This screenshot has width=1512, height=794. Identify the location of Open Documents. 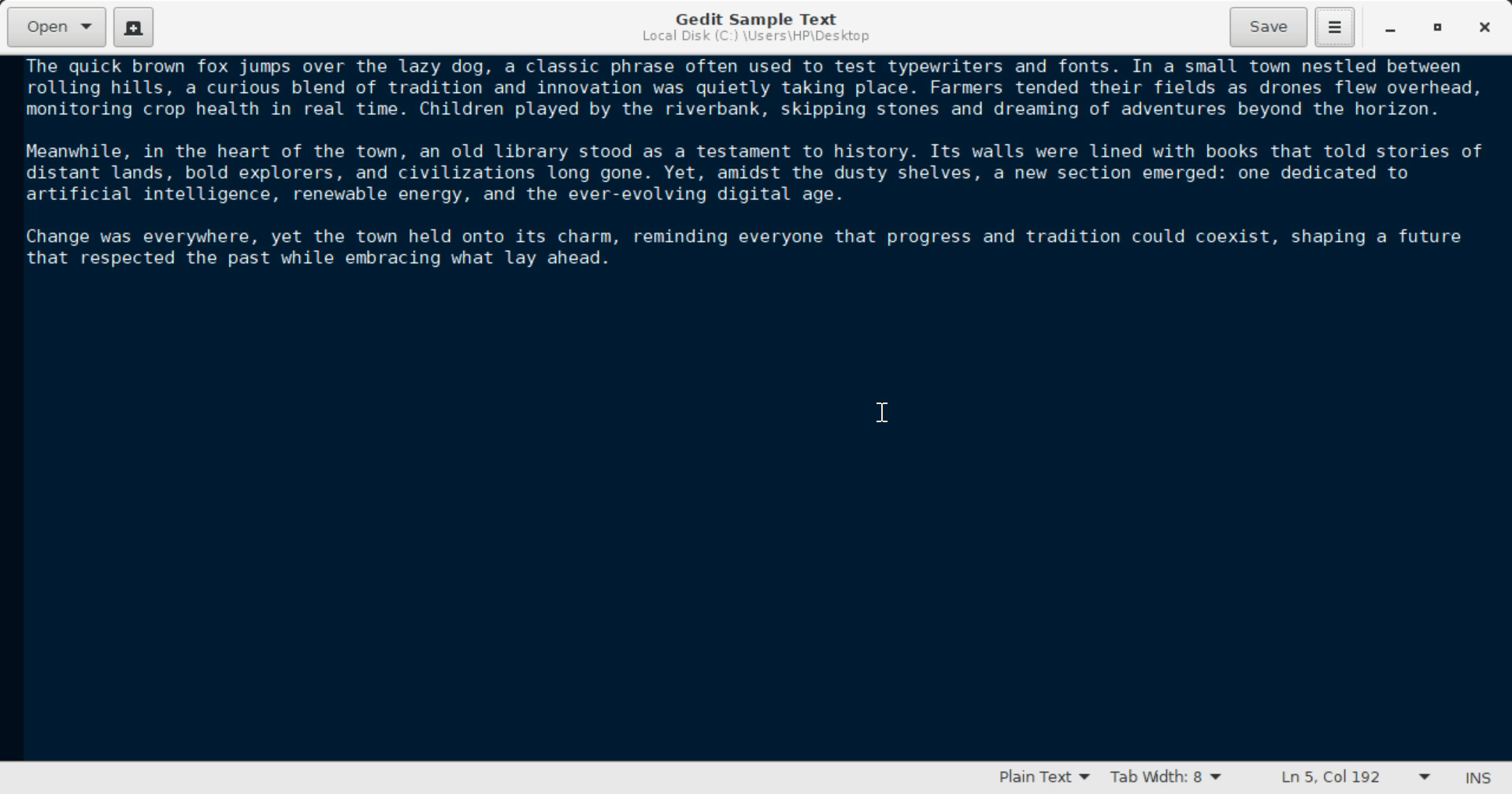
(58, 27).